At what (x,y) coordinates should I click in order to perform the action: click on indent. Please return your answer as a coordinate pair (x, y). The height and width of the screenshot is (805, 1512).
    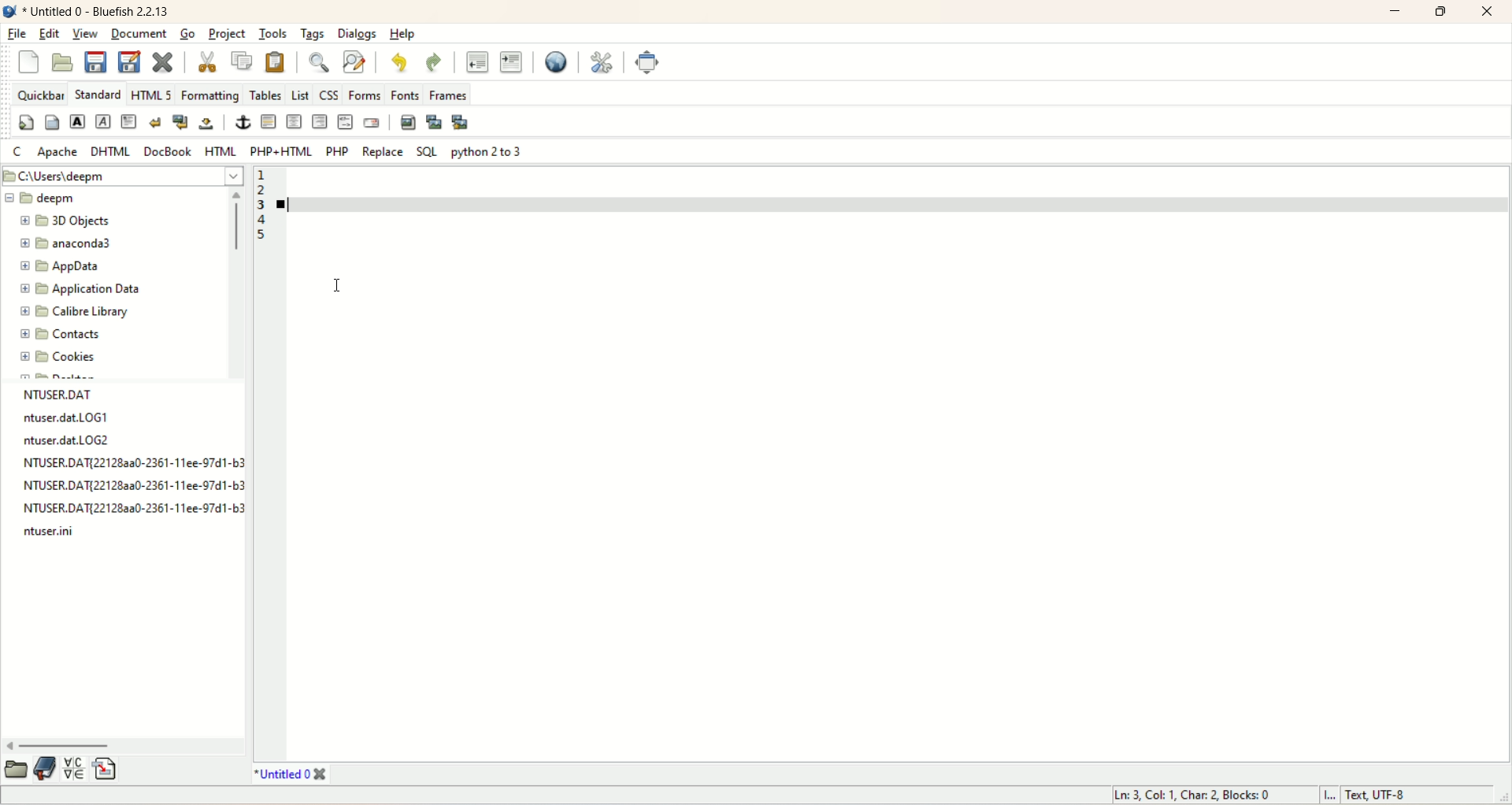
    Looking at the image, I should click on (513, 62).